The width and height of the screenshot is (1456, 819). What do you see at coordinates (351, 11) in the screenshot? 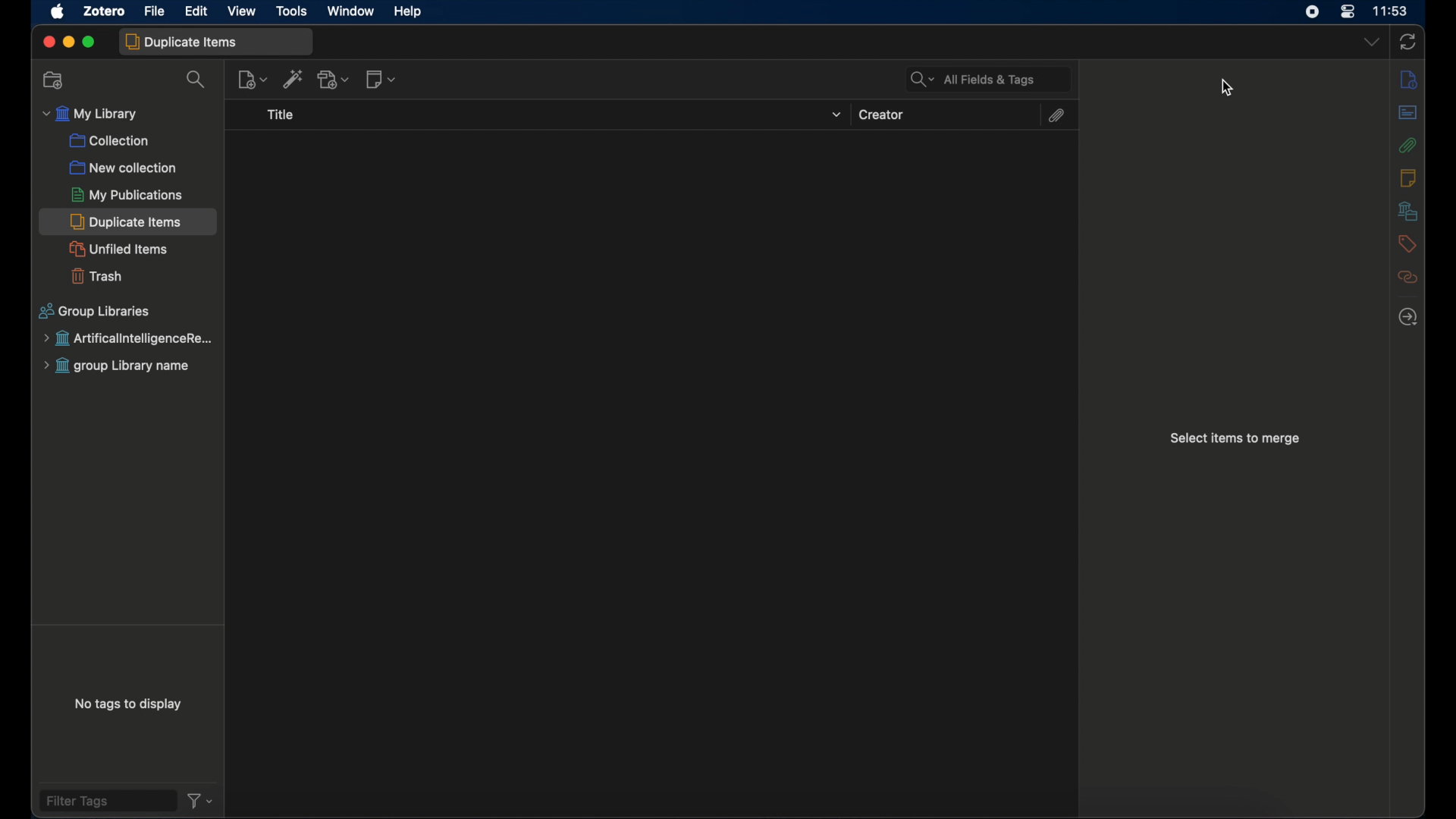
I see `window` at bounding box center [351, 11].